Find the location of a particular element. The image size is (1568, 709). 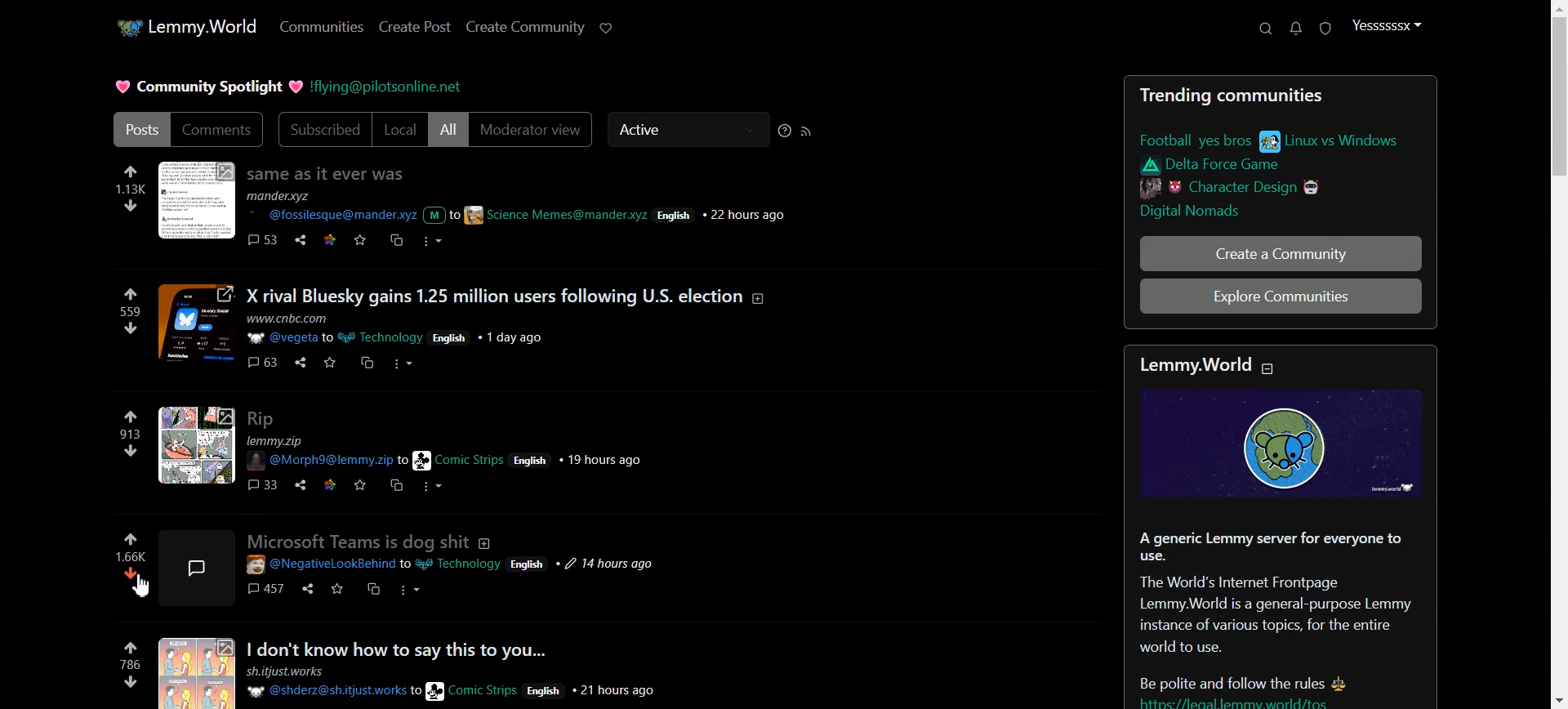

share is located at coordinates (308, 589).